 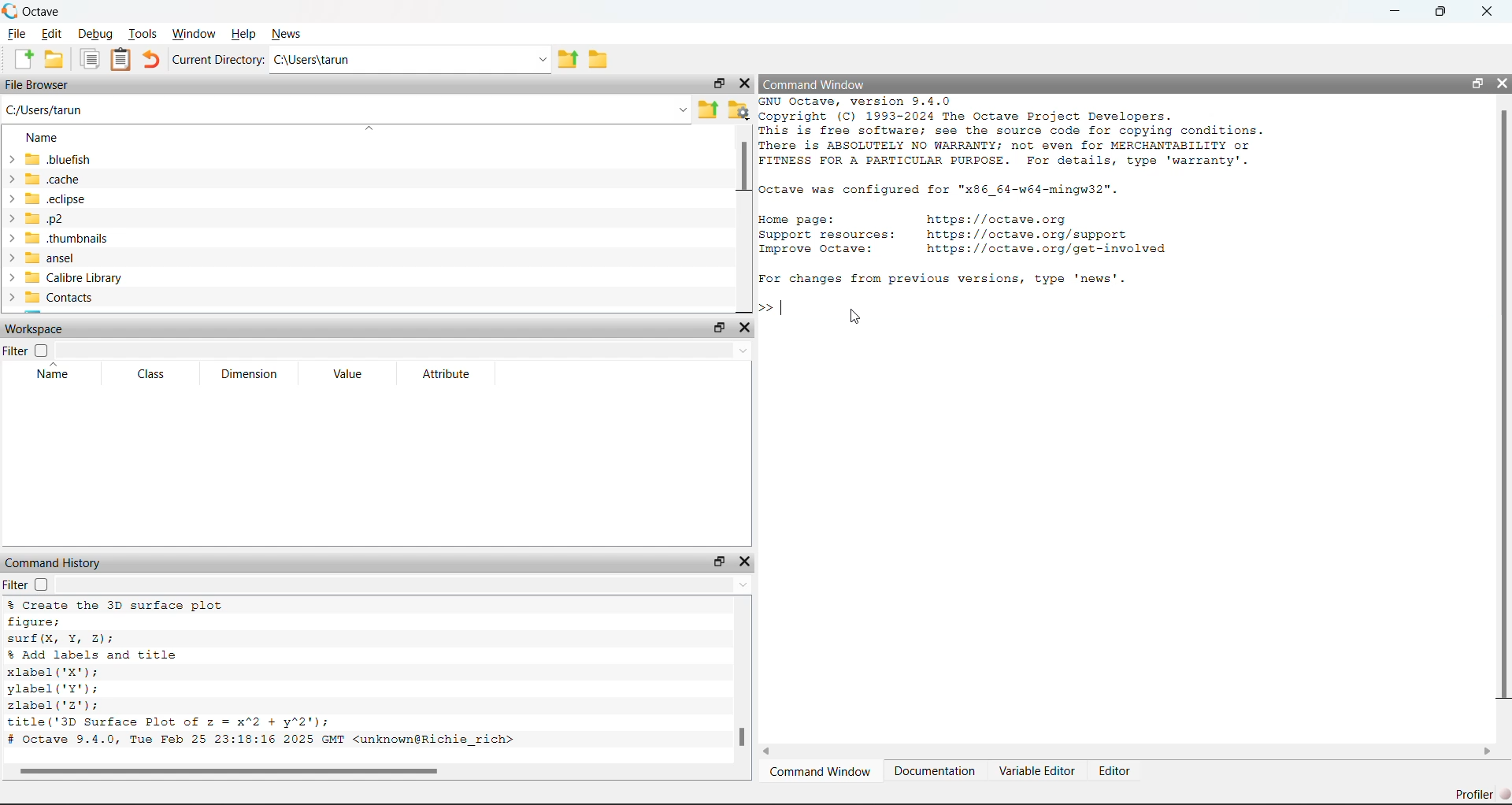 What do you see at coordinates (944, 277) in the screenshot?
I see `For changes from previous versions, type 'news'.` at bounding box center [944, 277].